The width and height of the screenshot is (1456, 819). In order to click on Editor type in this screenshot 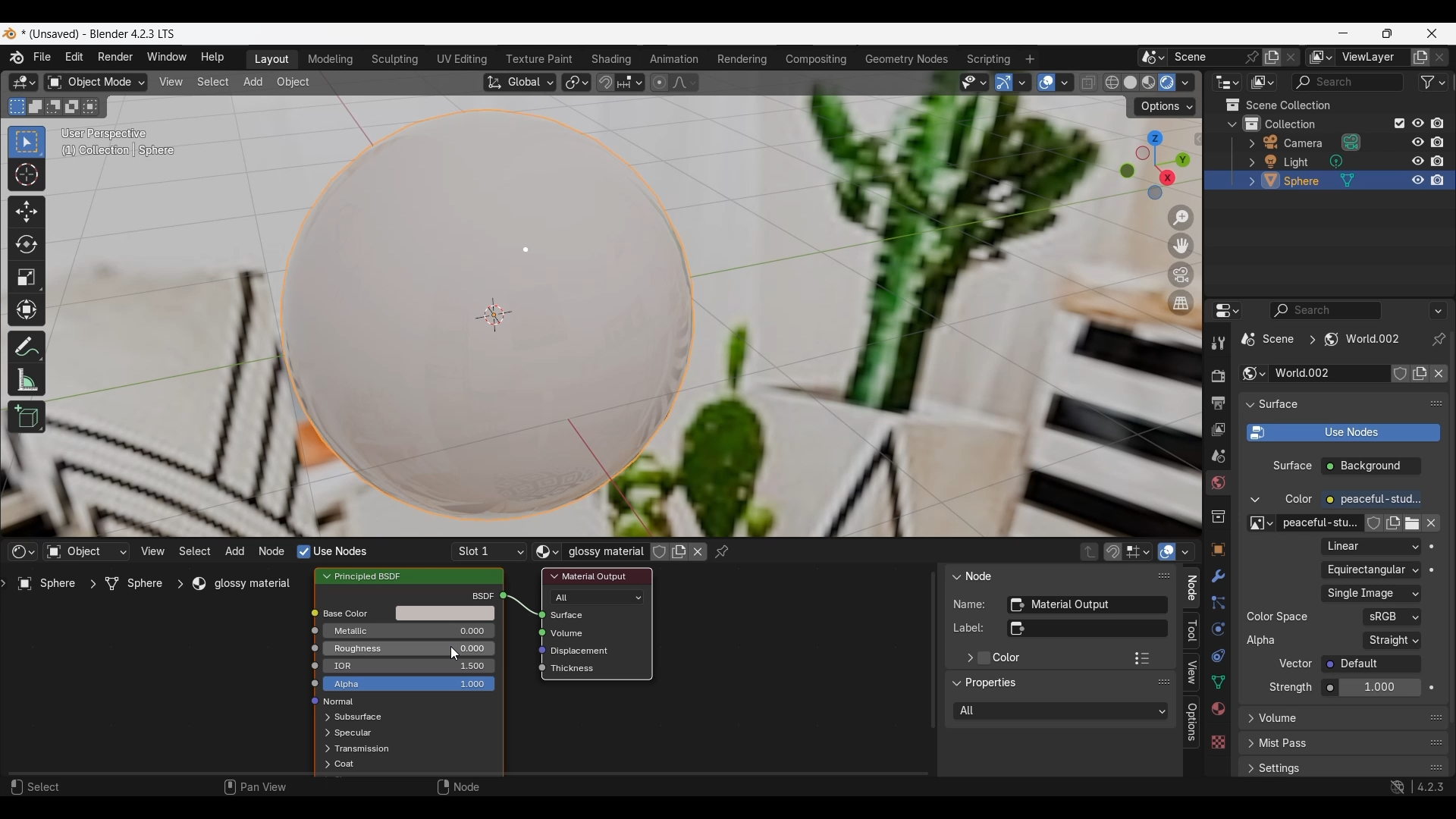, I will do `click(1228, 82)`.